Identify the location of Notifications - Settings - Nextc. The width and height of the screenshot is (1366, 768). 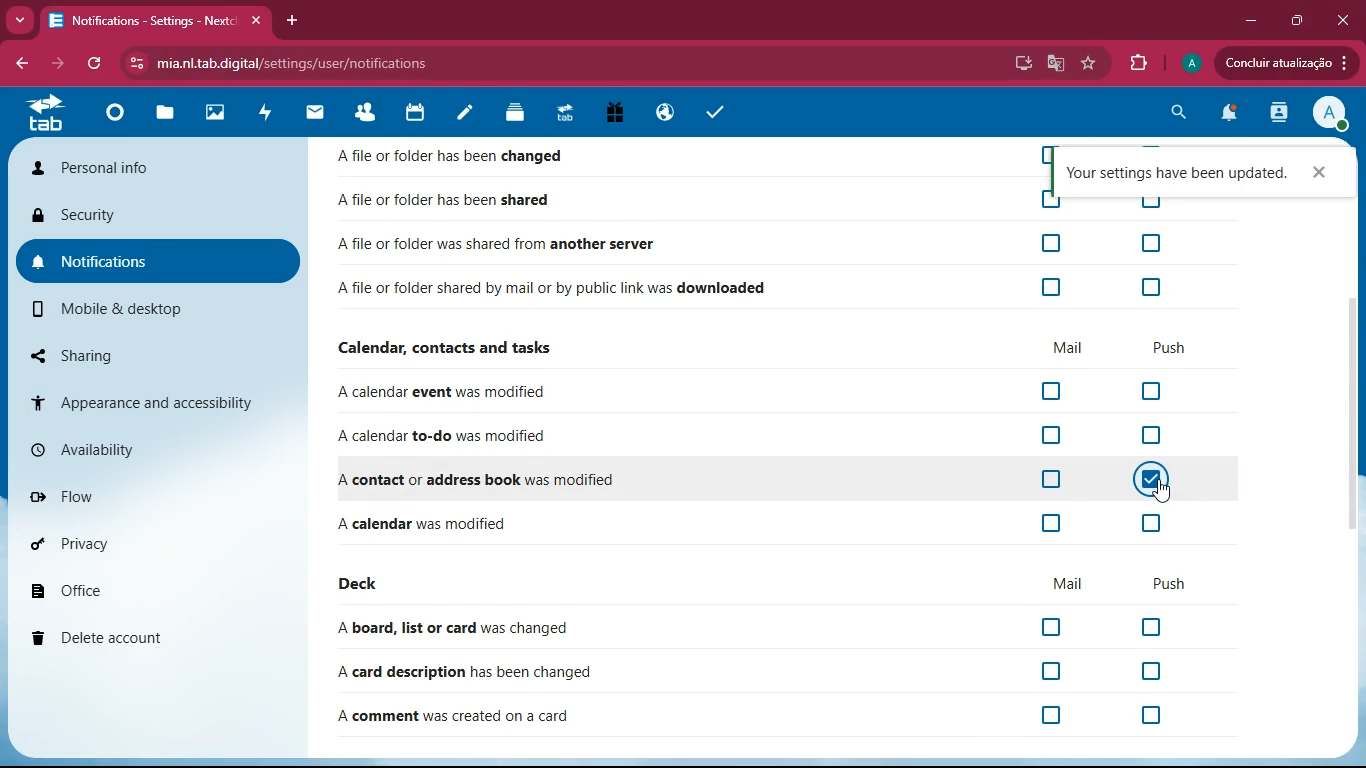
(158, 22).